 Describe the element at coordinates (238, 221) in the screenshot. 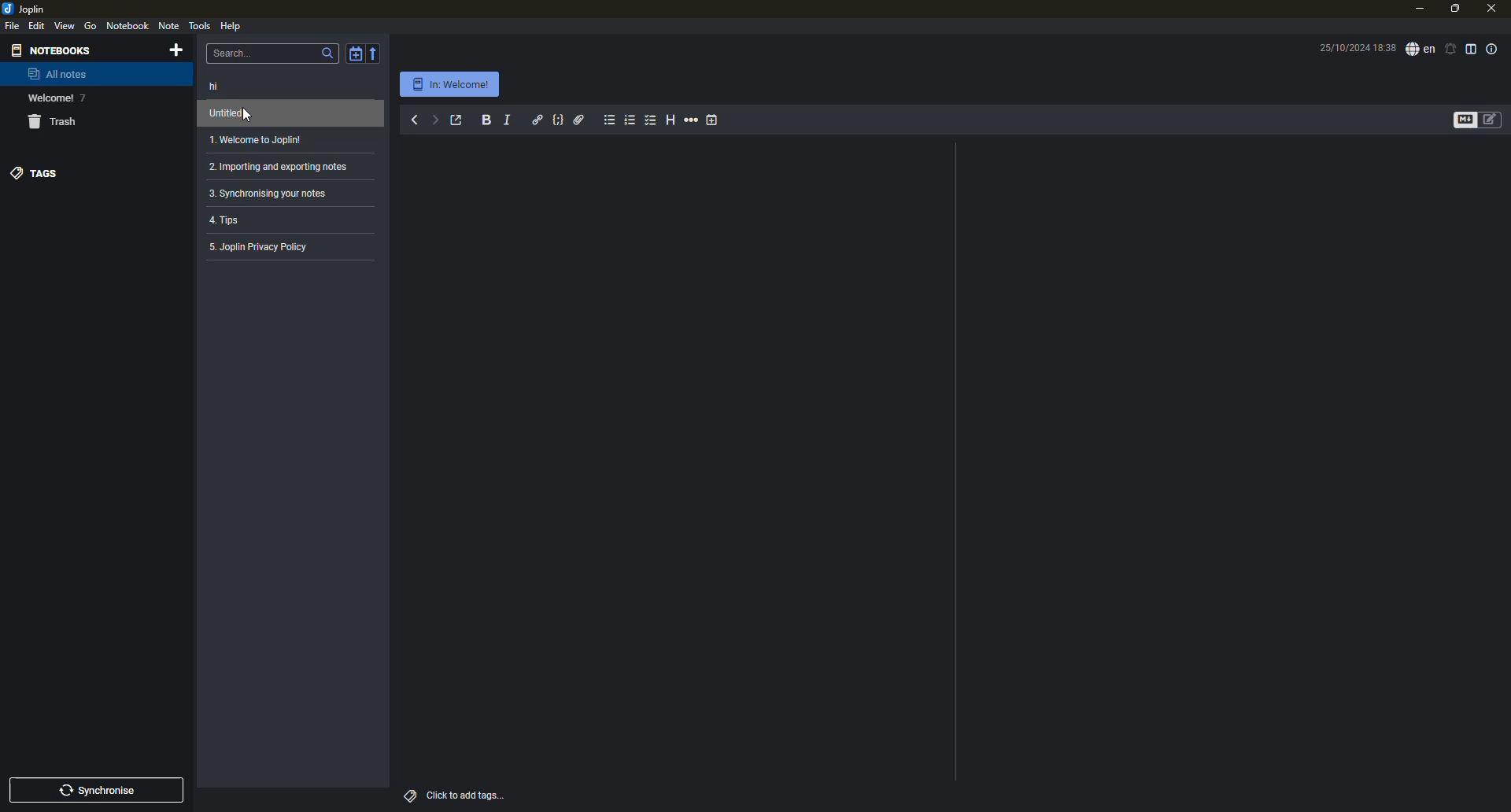

I see `4. Tips` at that location.